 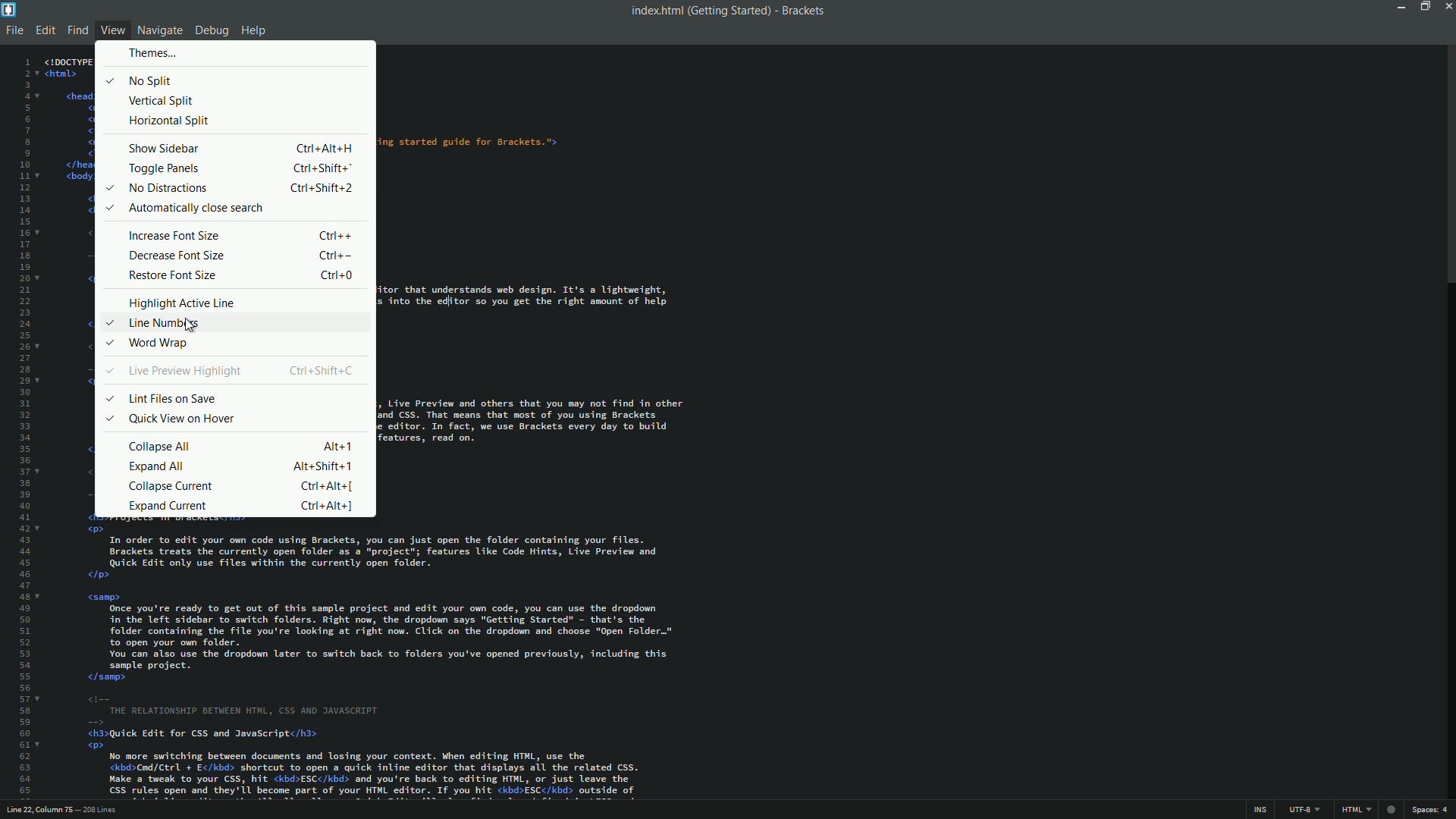 What do you see at coordinates (151, 53) in the screenshot?
I see `Themes...` at bounding box center [151, 53].